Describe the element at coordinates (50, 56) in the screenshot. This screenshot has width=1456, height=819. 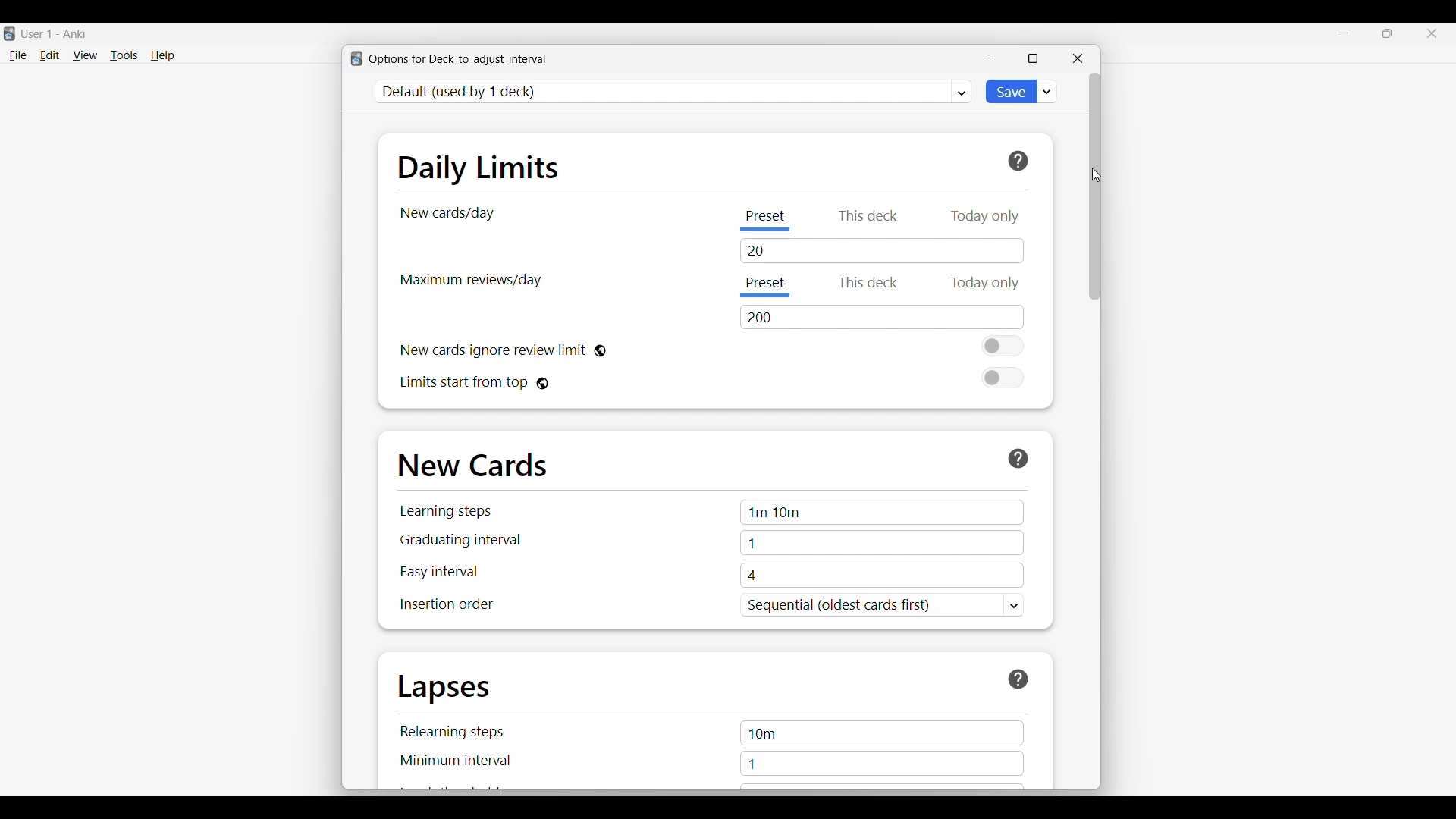
I see `Edit menu` at that location.